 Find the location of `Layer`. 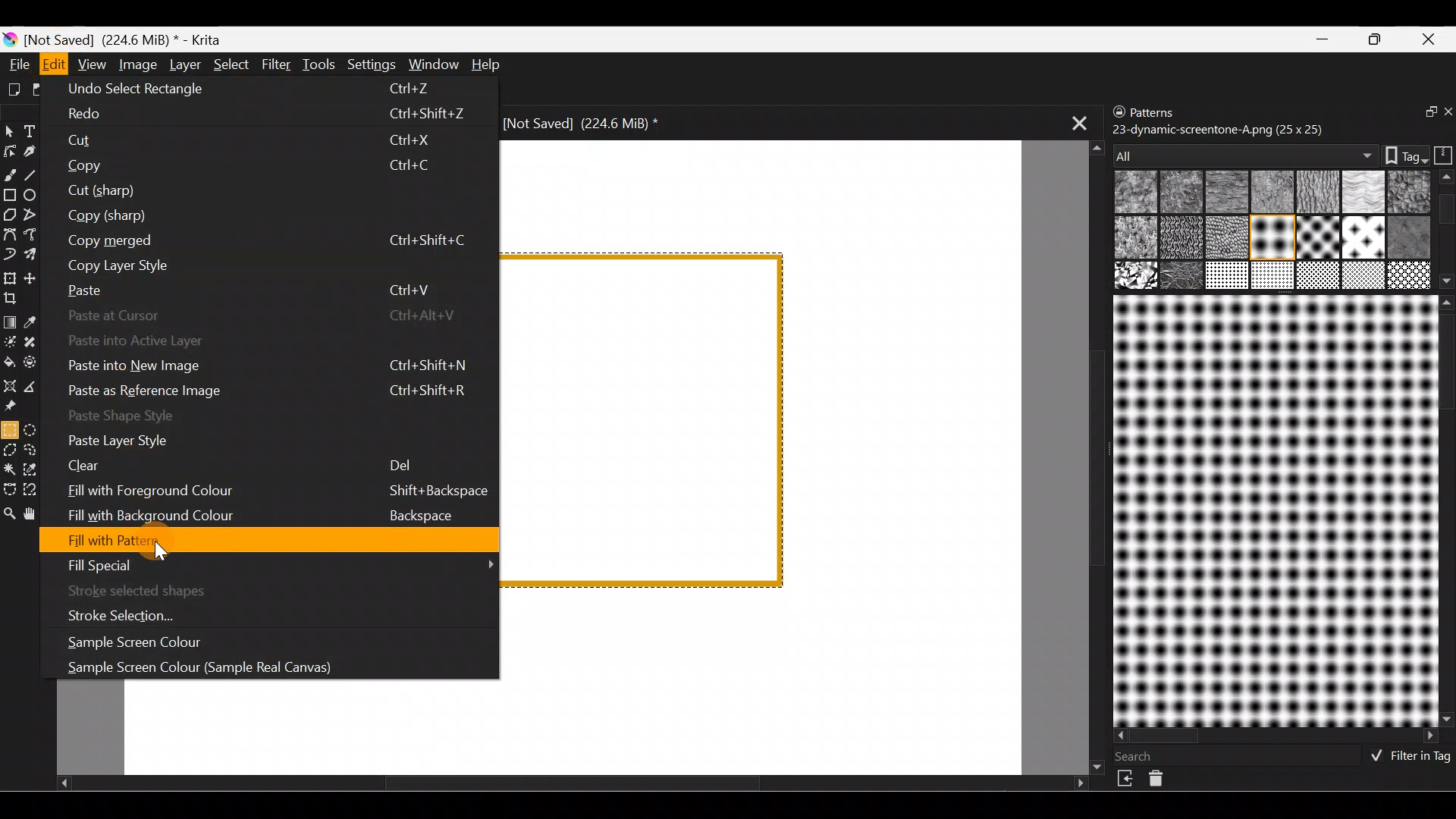

Layer is located at coordinates (184, 64).